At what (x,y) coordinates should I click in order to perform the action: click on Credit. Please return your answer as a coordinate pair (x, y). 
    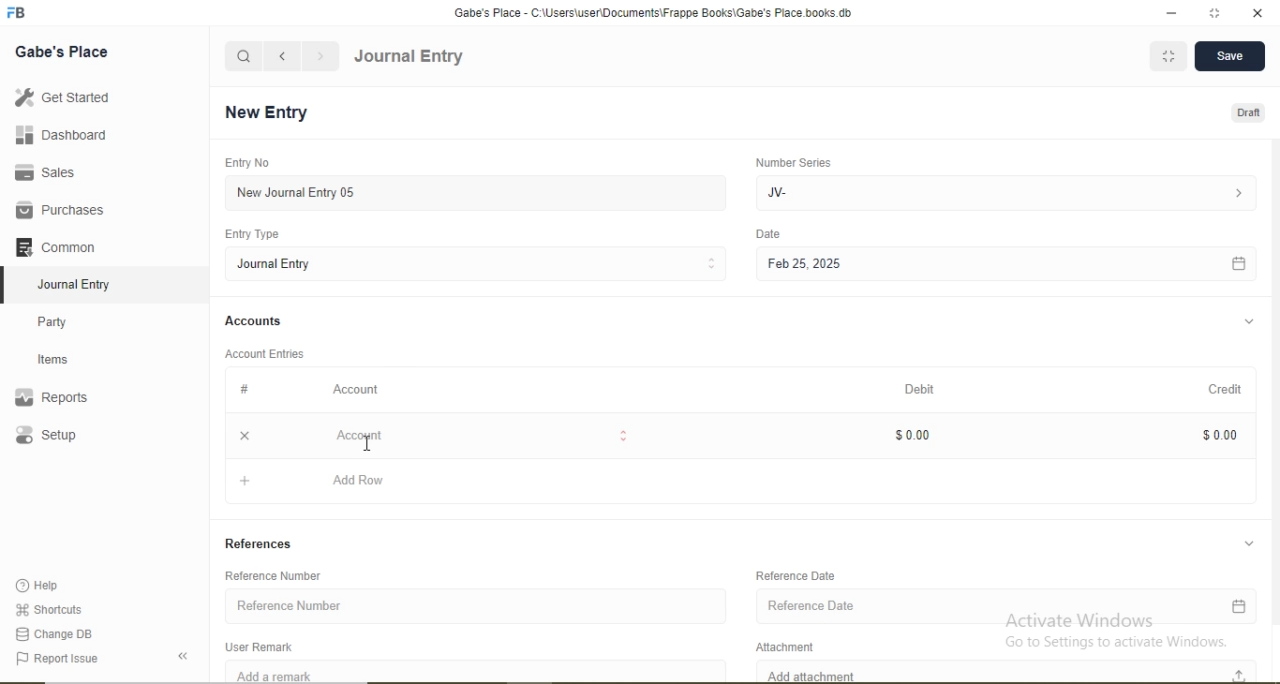
    Looking at the image, I should click on (1219, 388).